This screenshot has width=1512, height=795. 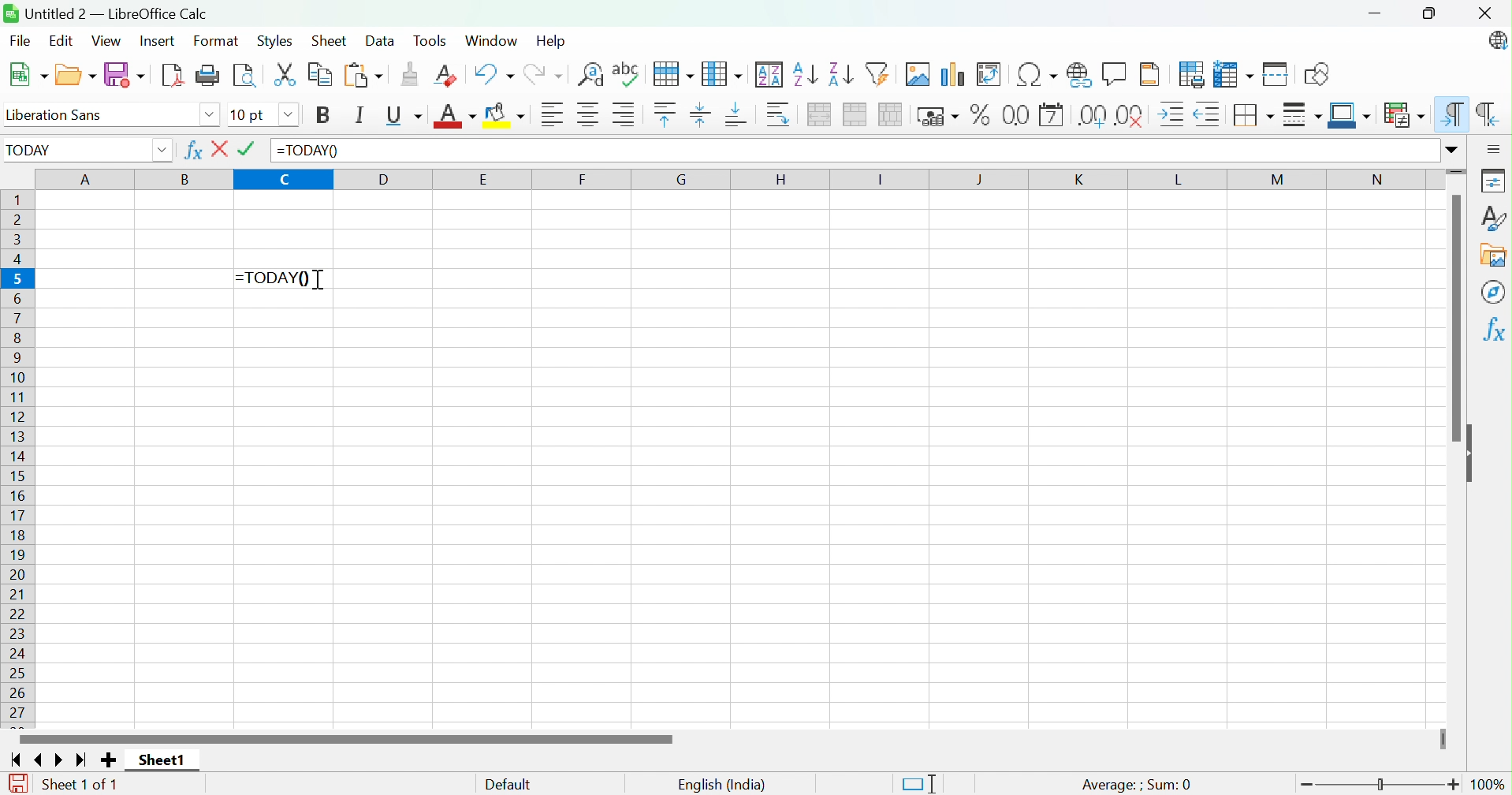 What do you see at coordinates (308, 151) in the screenshot?
I see `=TODAY()` at bounding box center [308, 151].